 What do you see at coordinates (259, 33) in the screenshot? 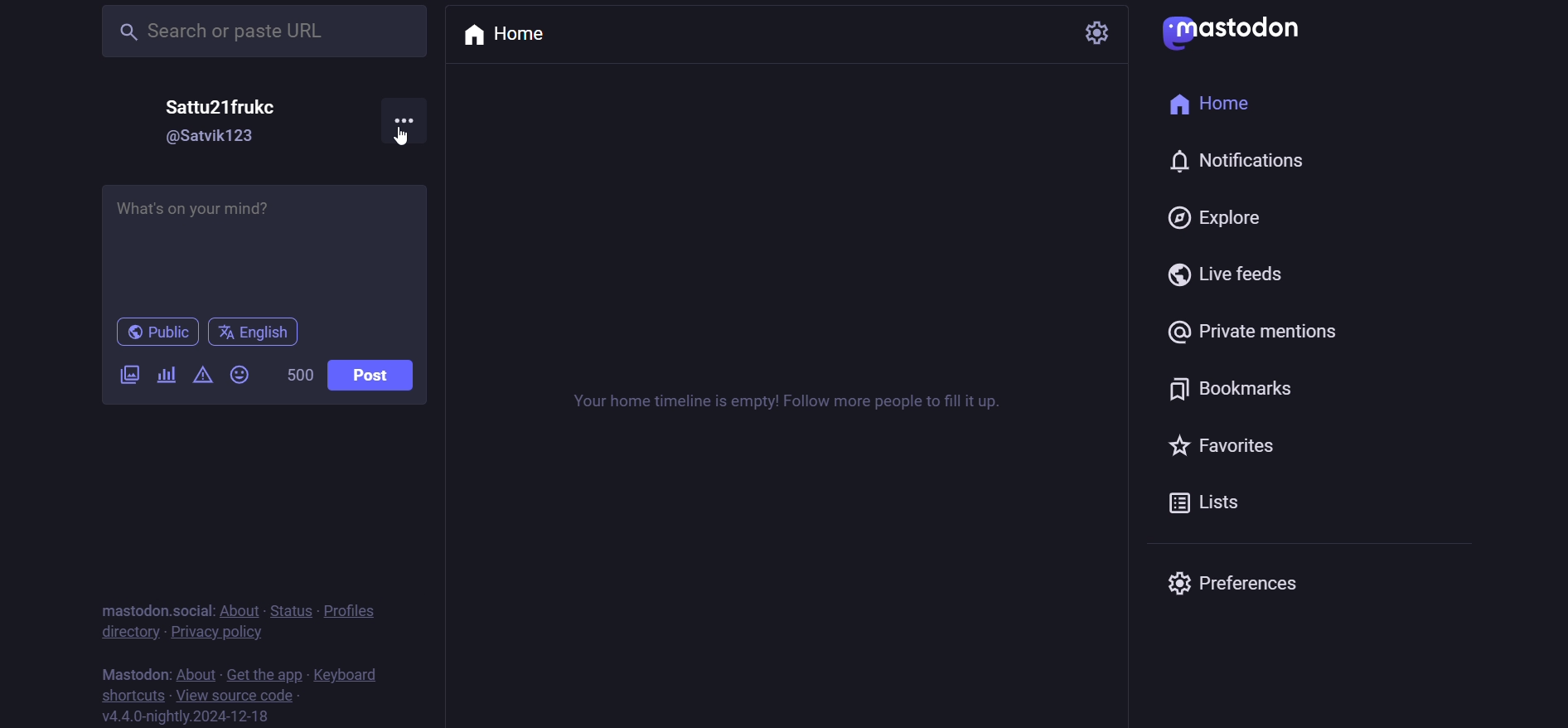
I see `search` at bounding box center [259, 33].